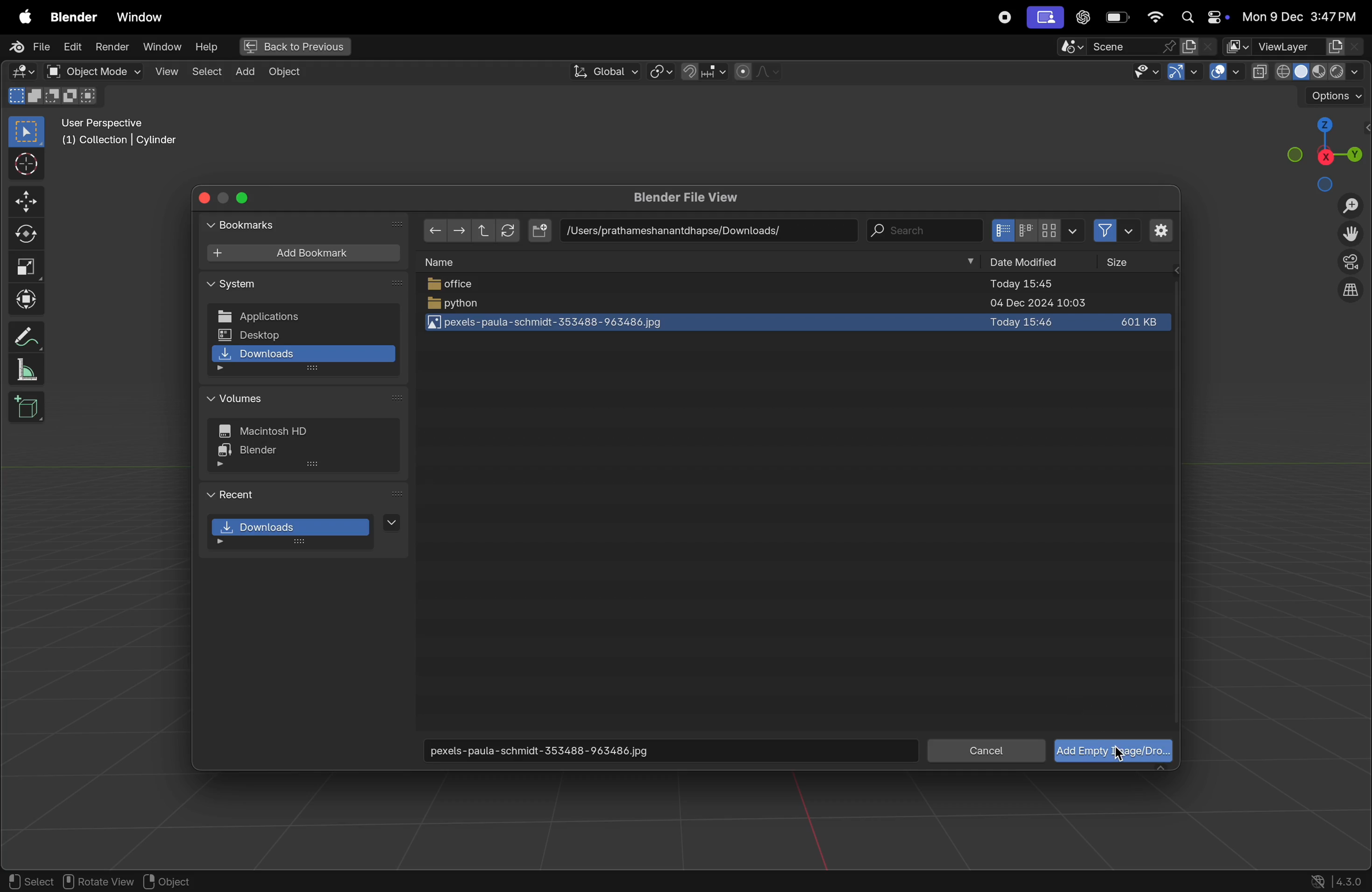 The height and width of the screenshot is (892, 1372). Describe the element at coordinates (26, 72) in the screenshot. I see `editortype` at that location.